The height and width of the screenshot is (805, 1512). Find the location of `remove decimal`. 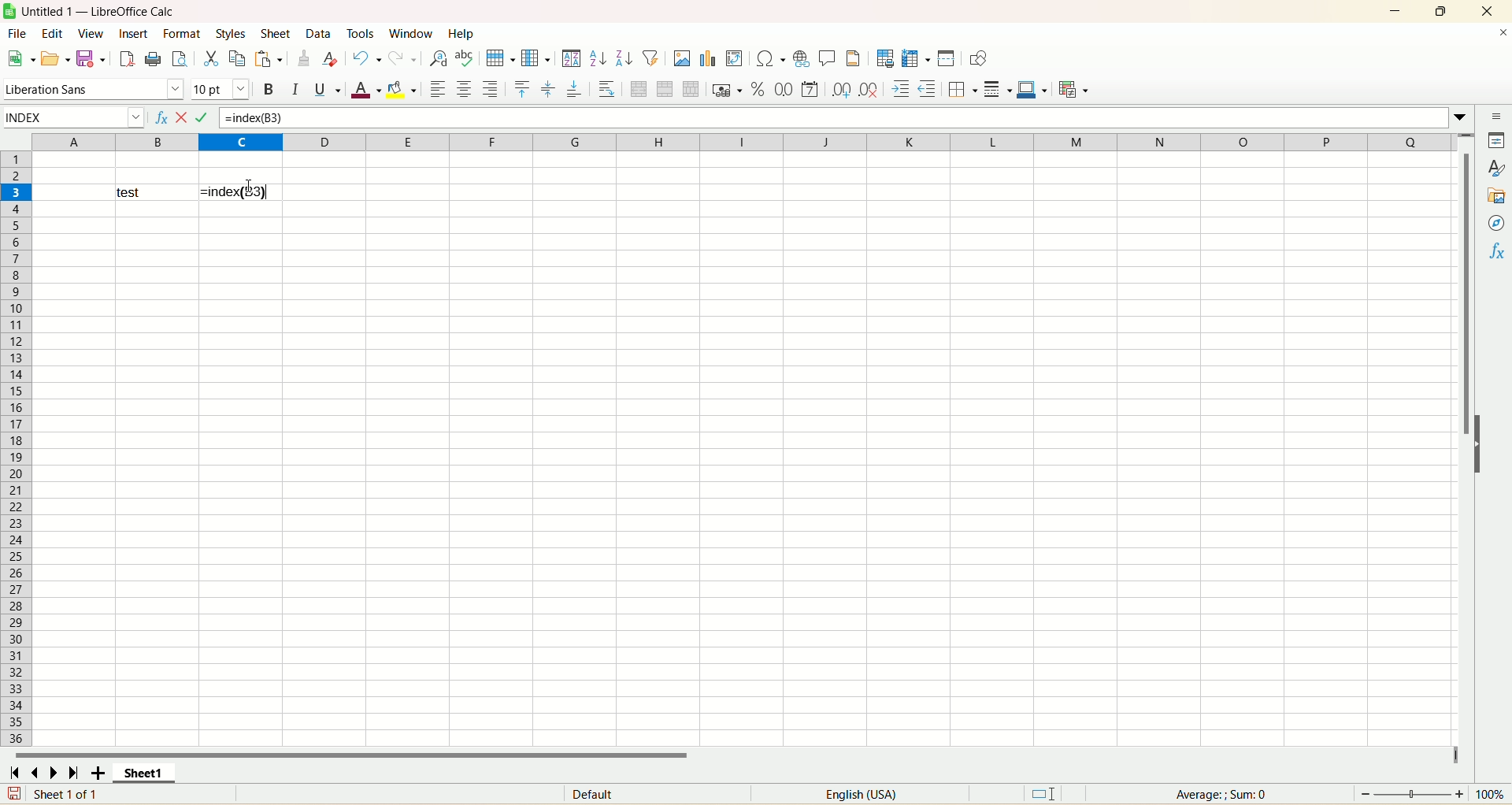

remove decimal is located at coordinates (869, 89).